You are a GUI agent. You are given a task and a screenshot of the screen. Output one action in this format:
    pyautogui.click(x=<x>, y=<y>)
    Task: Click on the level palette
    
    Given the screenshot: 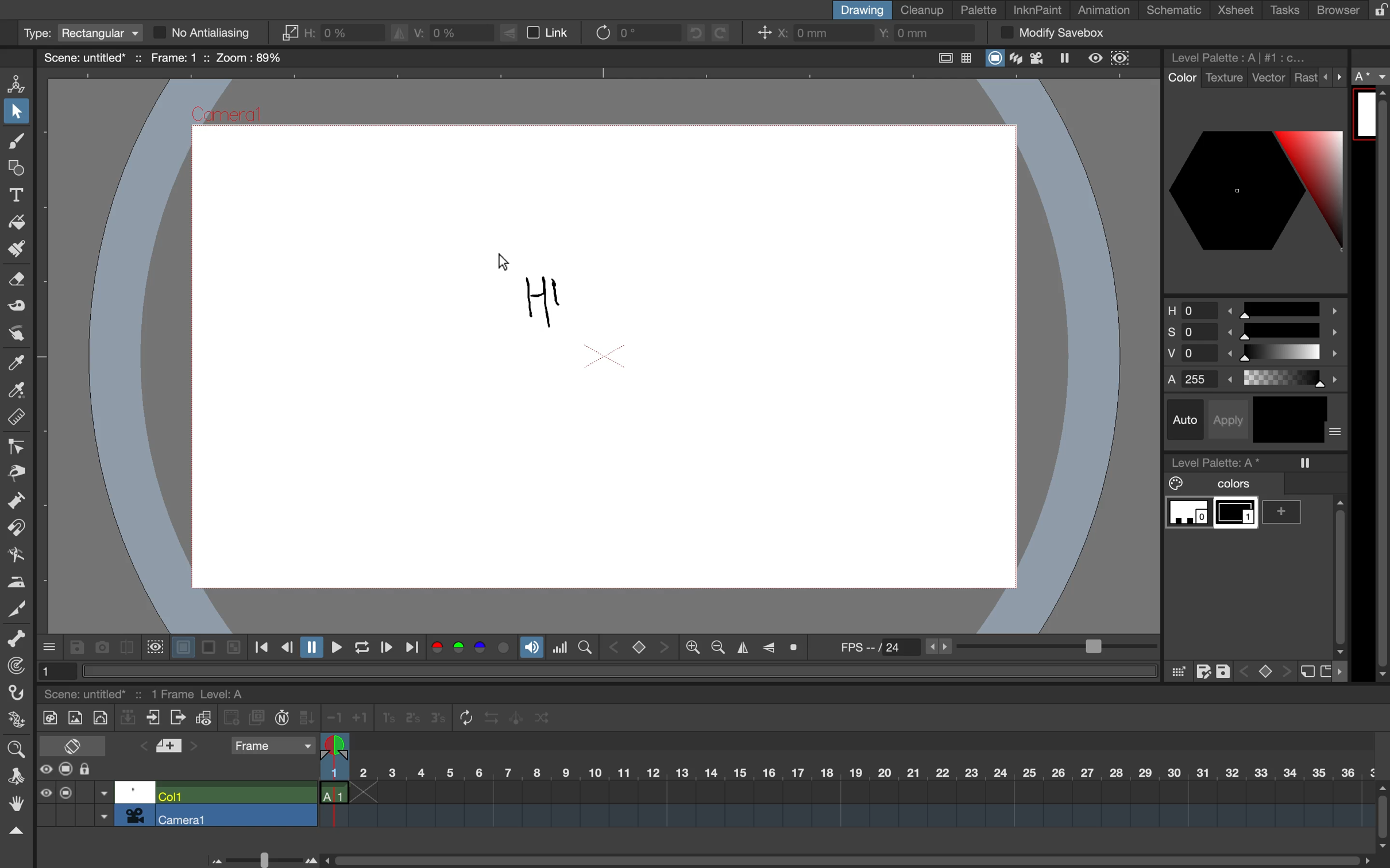 What is the action you would take?
    pyautogui.click(x=1242, y=57)
    